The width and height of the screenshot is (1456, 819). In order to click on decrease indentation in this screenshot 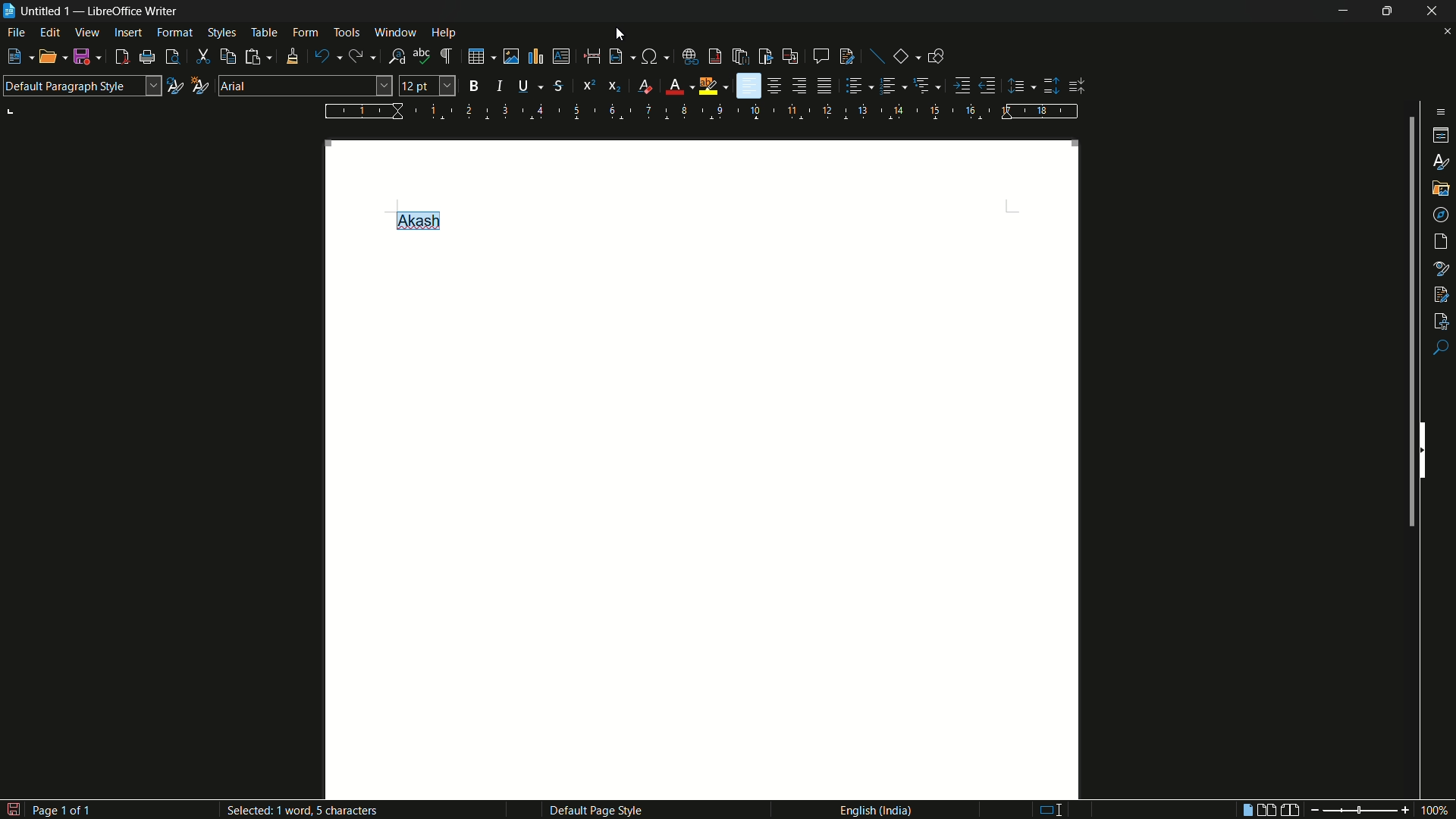, I will do `click(988, 85)`.